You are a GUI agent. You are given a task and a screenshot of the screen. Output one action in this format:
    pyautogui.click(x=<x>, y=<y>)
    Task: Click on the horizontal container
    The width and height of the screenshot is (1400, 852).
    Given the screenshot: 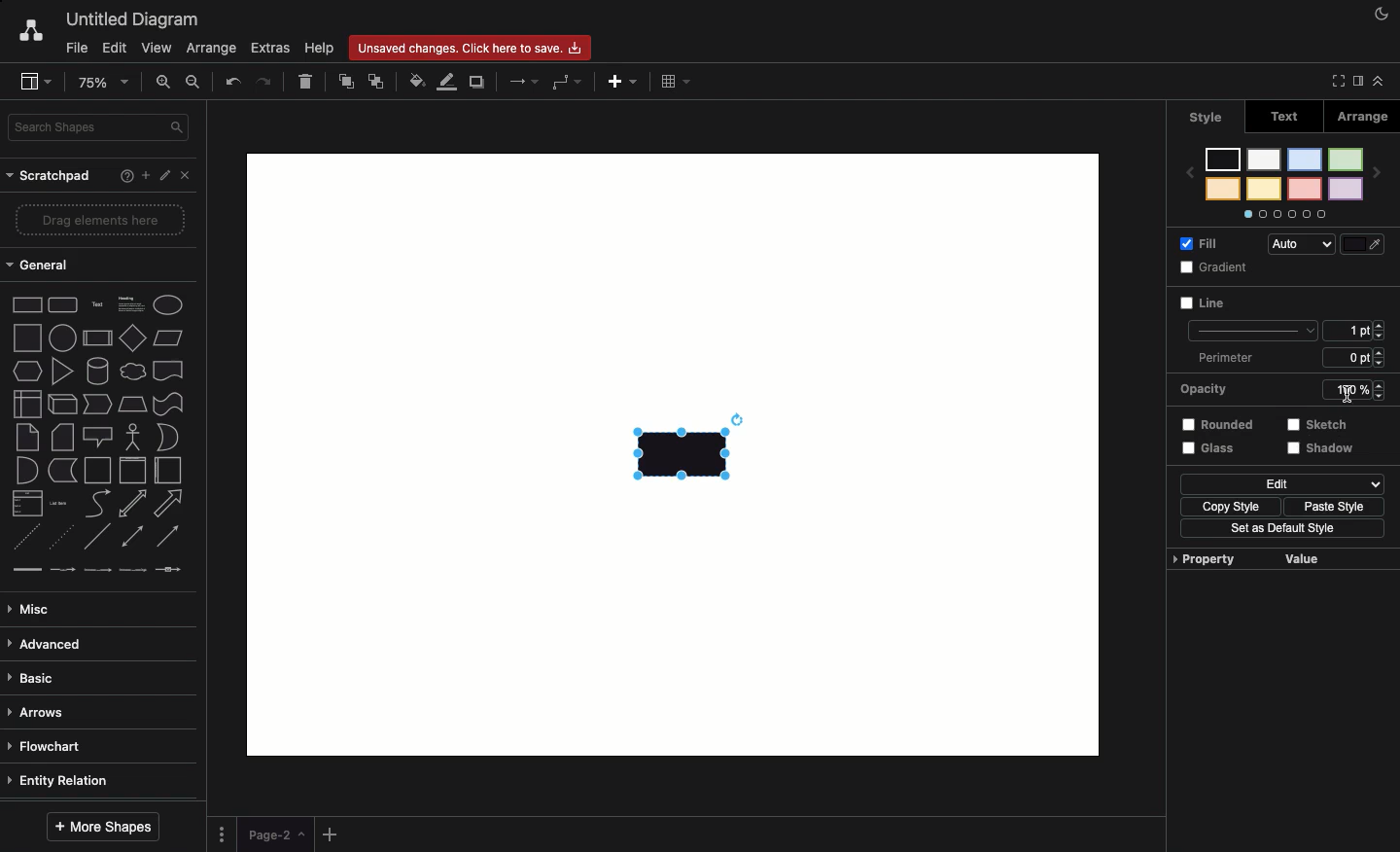 What is the action you would take?
    pyautogui.click(x=172, y=471)
    